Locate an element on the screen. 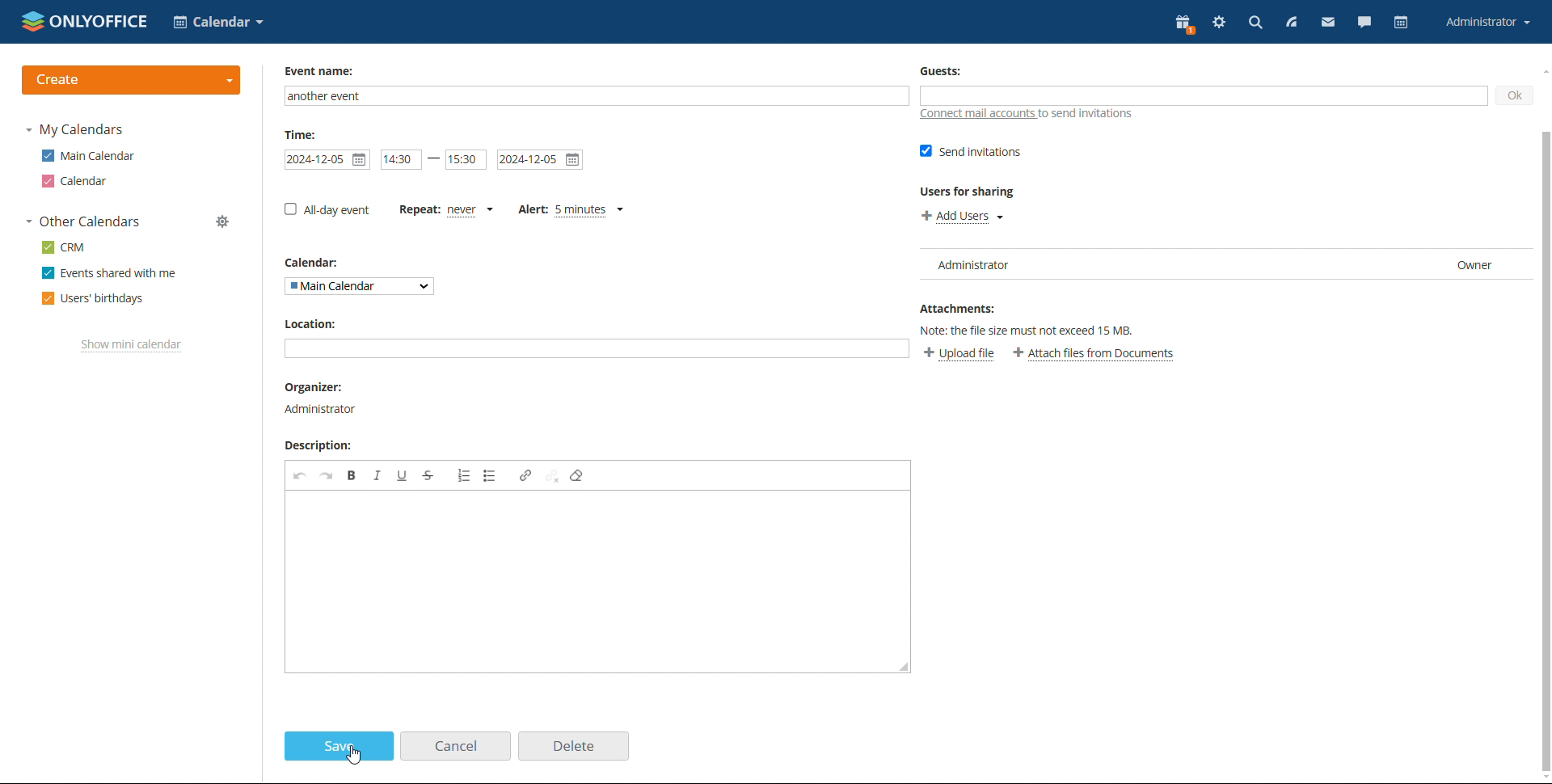  settings is located at coordinates (1221, 23).